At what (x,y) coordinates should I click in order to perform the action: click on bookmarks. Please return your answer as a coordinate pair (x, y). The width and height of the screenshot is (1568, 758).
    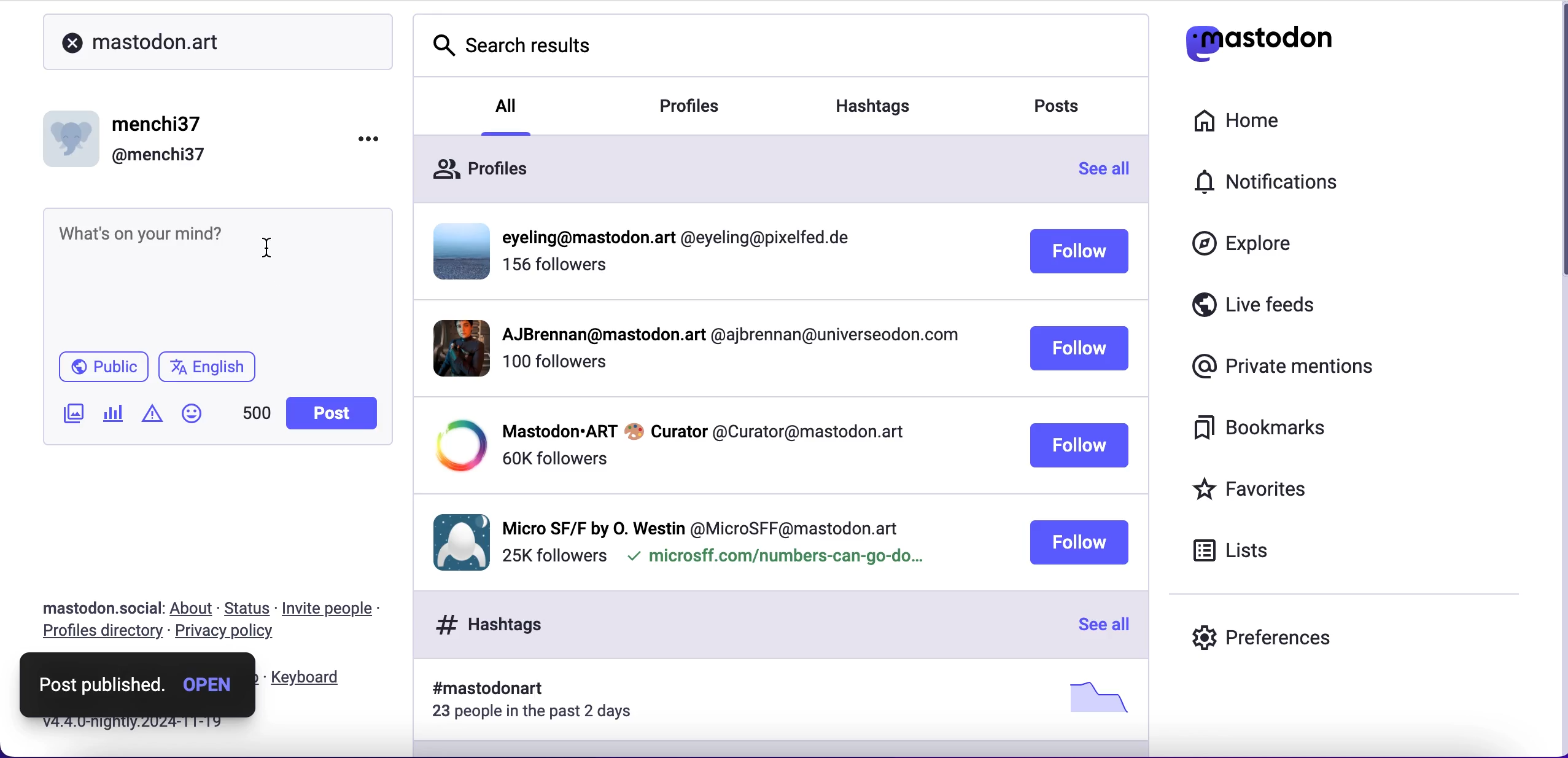
    Looking at the image, I should click on (1269, 432).